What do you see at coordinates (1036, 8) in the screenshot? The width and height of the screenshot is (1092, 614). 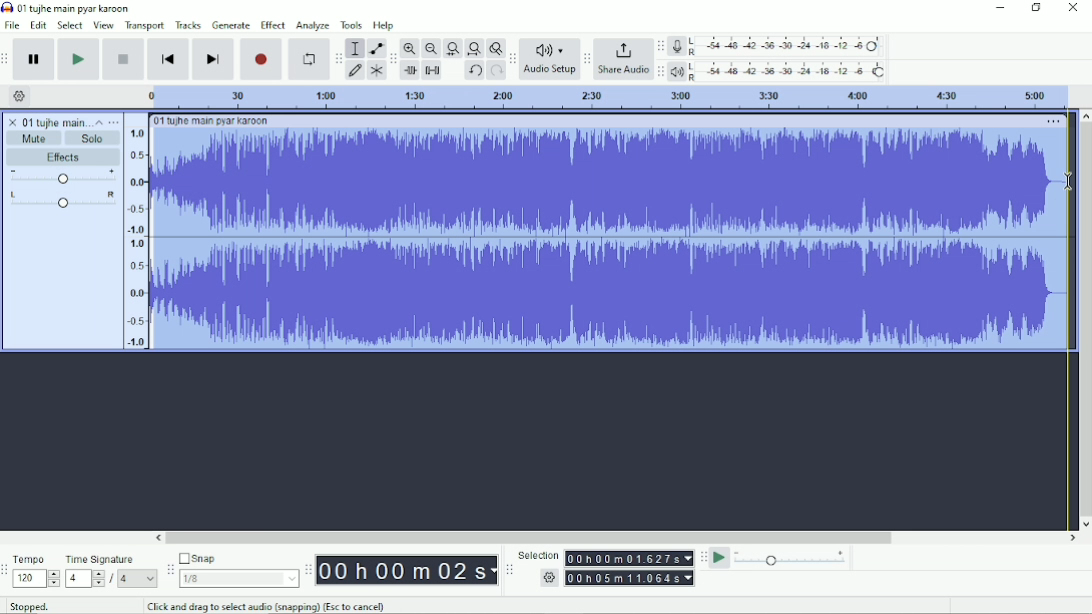 I see `Restore down` at bounding box center [1036, 8].